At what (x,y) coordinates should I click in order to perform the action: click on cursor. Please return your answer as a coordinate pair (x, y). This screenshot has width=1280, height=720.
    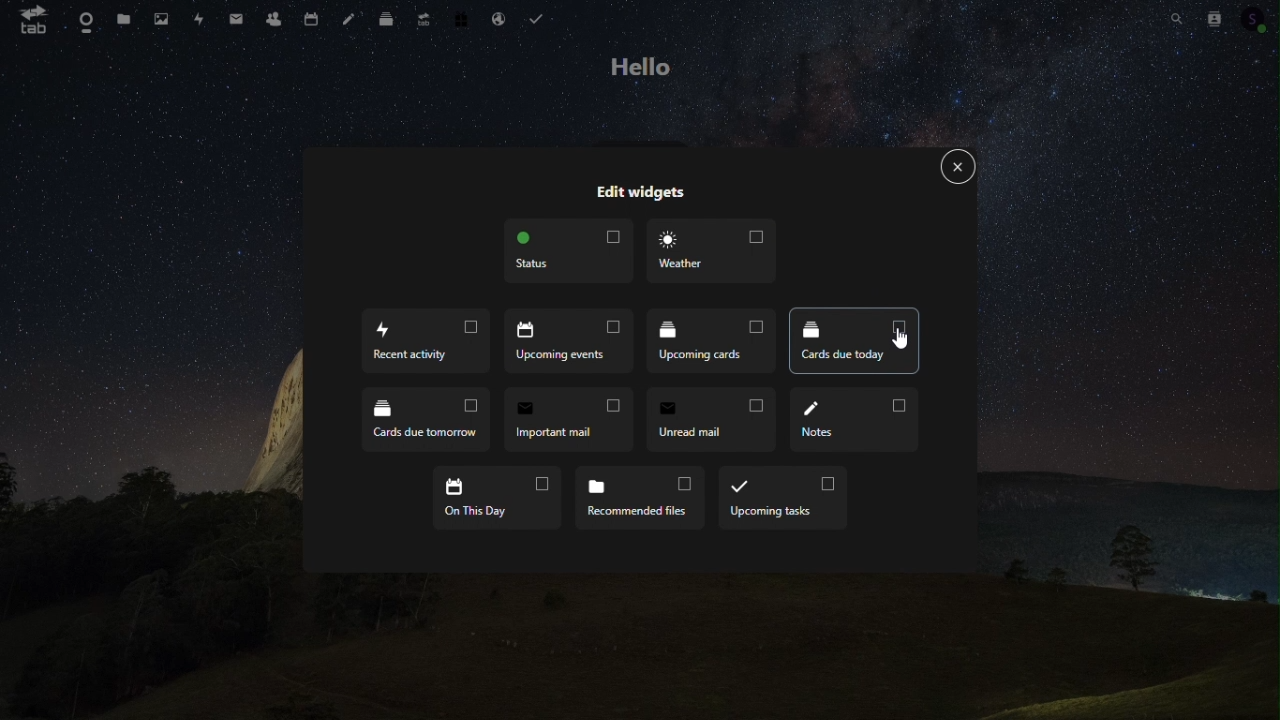
    Looking at the image, I should click on (900, 342).